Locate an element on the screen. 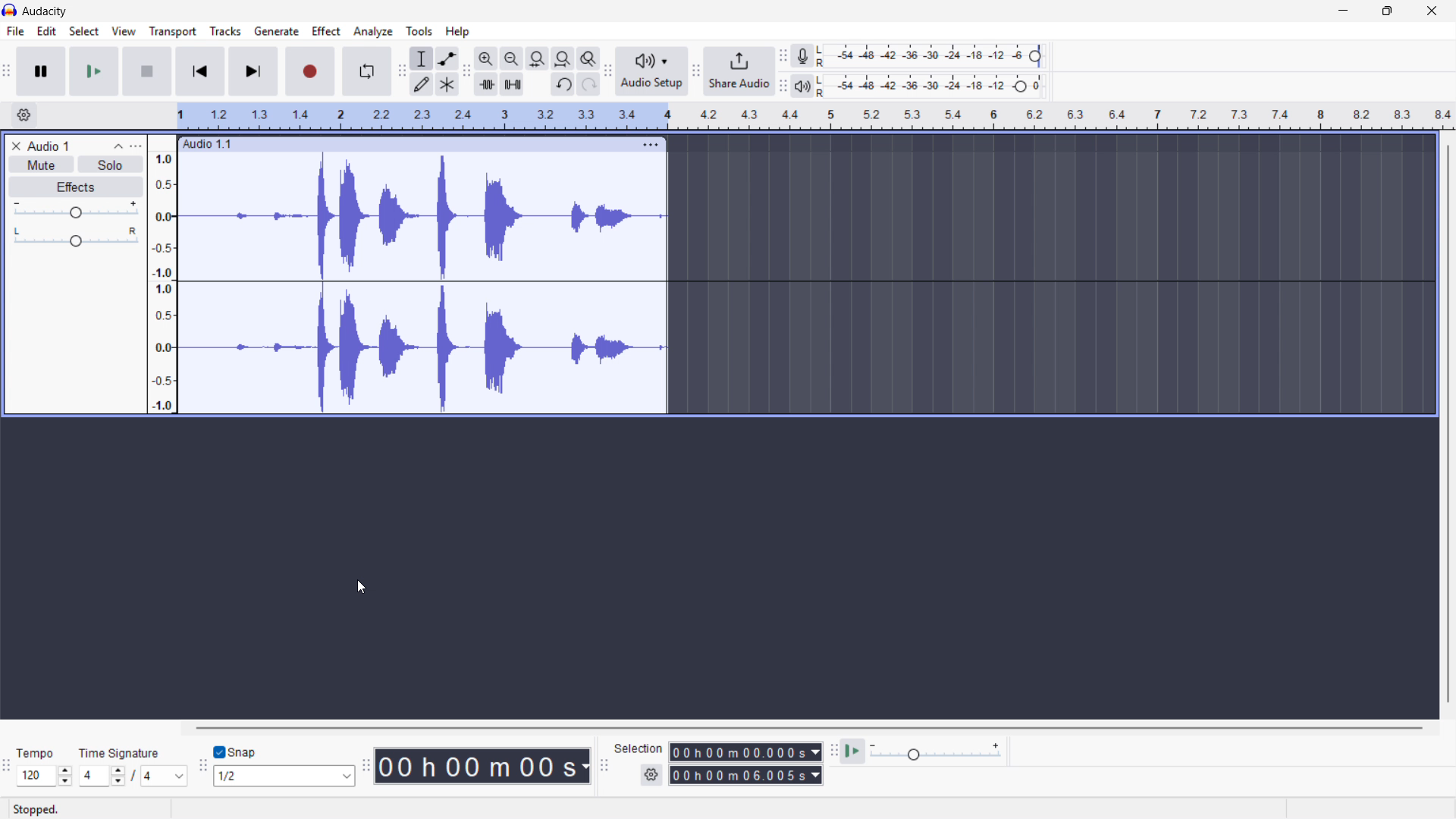  Track options is located at coordinates (649, 143).